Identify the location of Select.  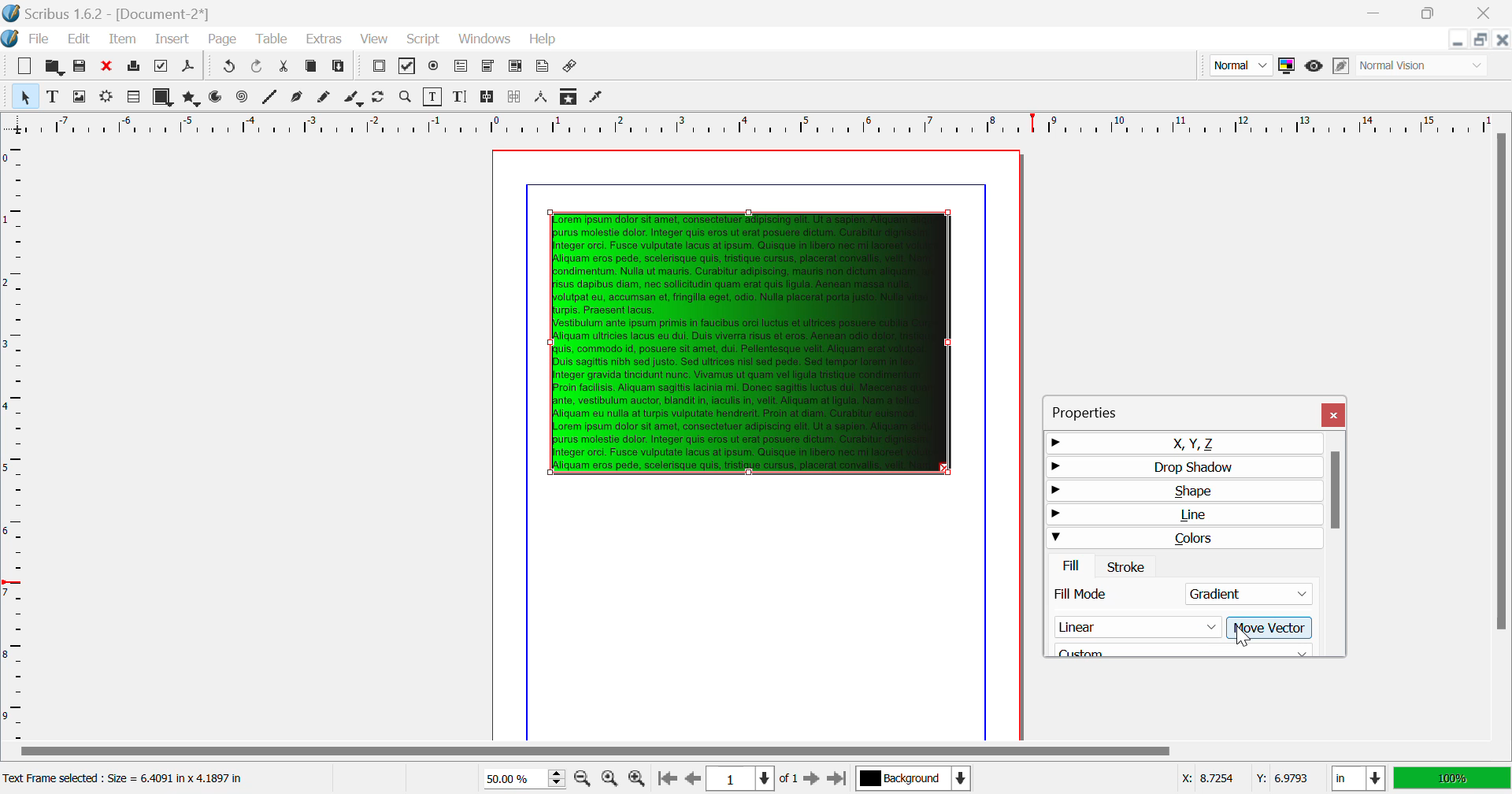
(24, 95).